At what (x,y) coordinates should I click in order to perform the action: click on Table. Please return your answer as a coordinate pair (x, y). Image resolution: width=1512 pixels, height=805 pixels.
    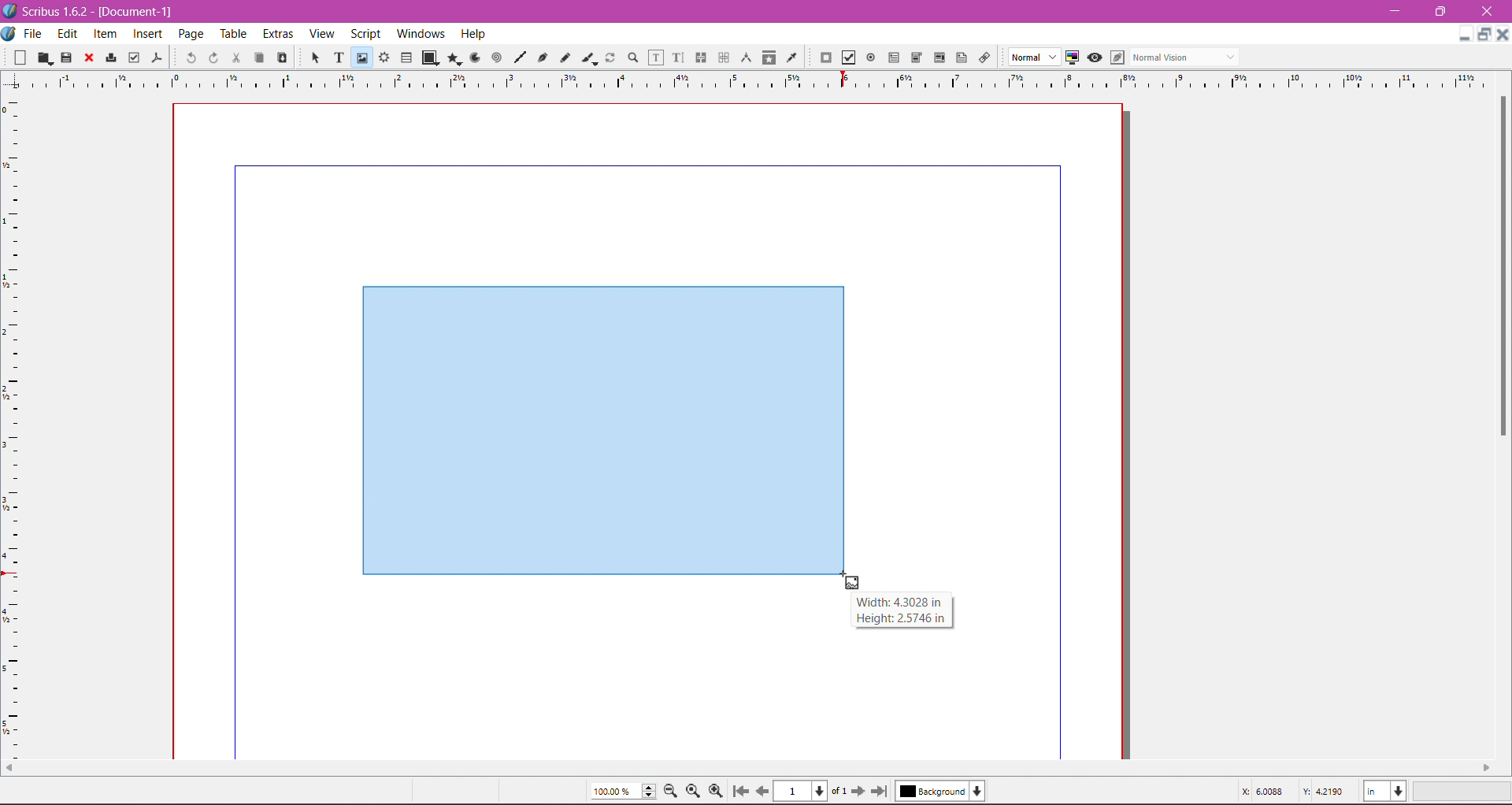
    Looking at the image, I should click on (406, 57).